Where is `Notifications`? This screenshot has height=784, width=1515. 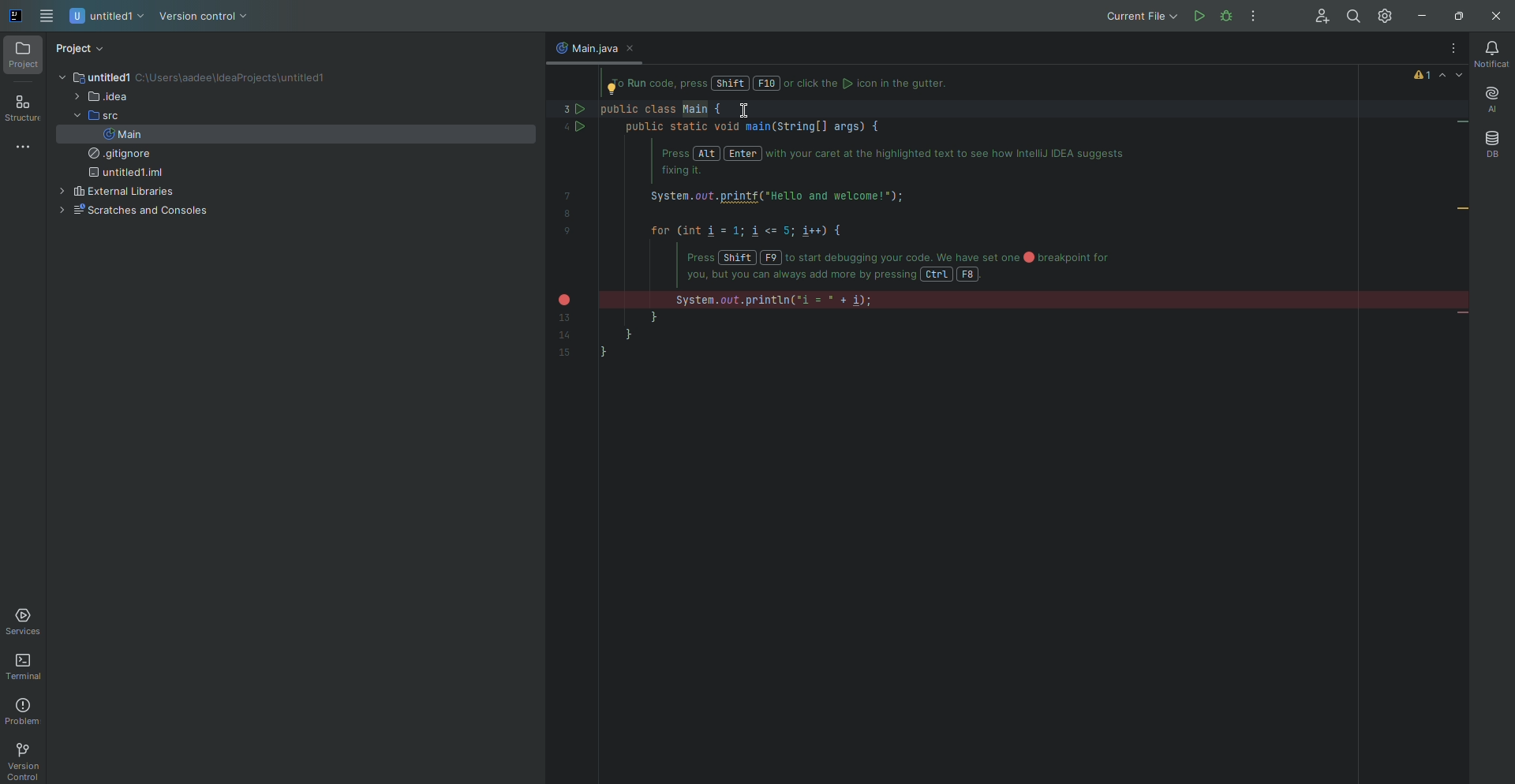 Notifications is located at coordinates (1491, 54).